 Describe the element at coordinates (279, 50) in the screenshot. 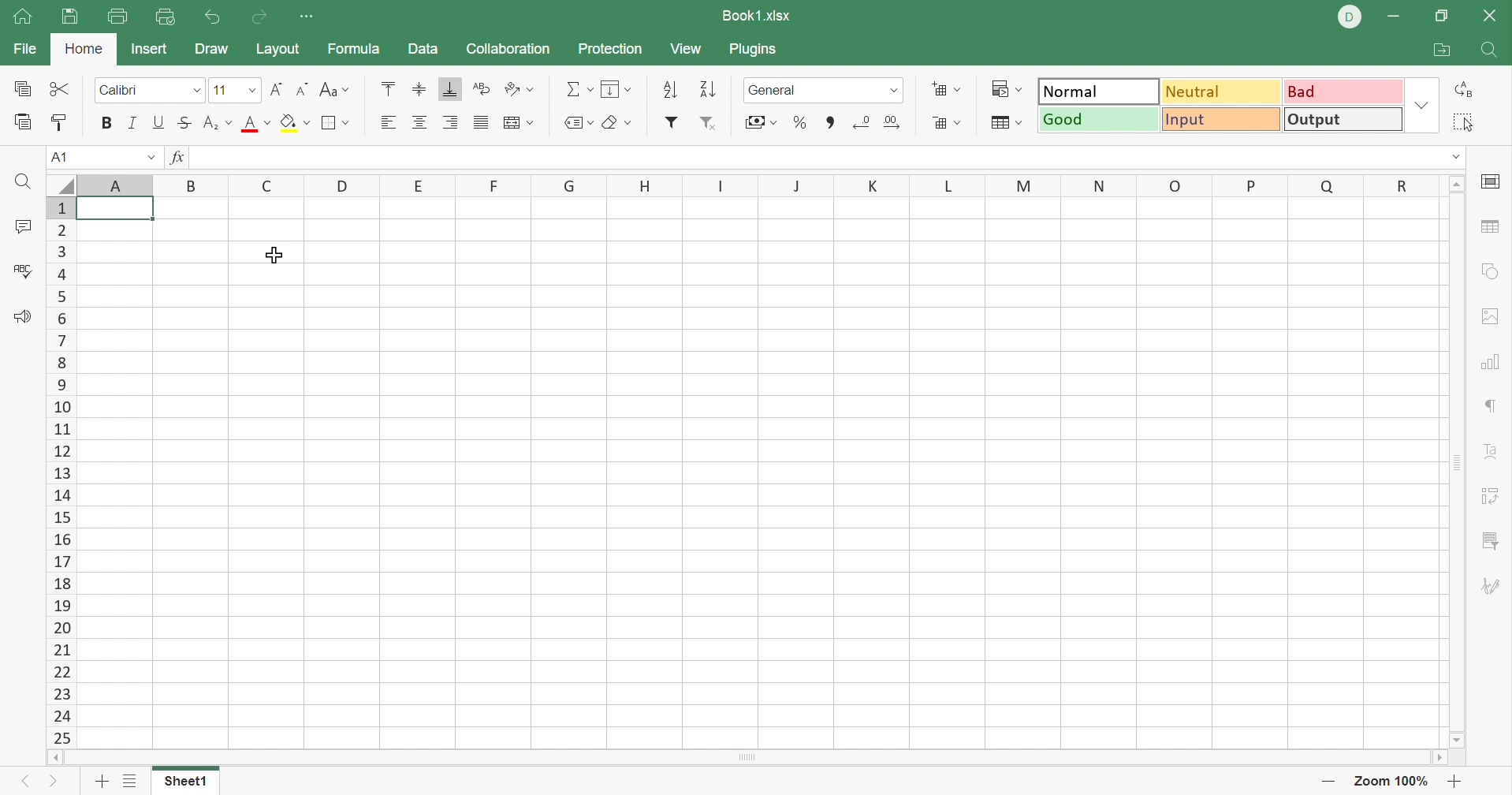

I see `Layout` at that location.